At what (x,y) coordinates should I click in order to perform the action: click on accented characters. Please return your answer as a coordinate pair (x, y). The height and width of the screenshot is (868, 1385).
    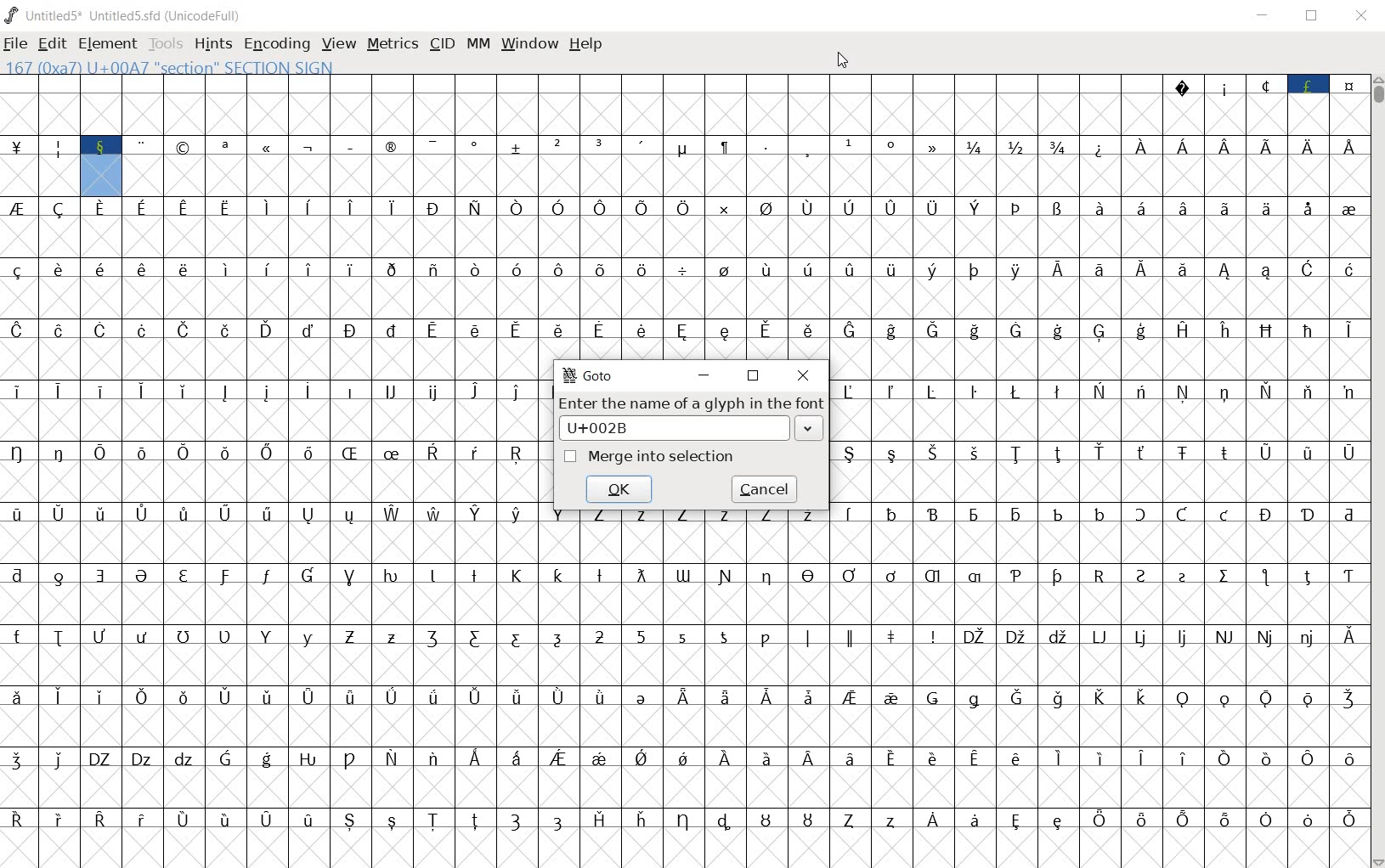
    Looking at the image, I should click on (1058, 228).